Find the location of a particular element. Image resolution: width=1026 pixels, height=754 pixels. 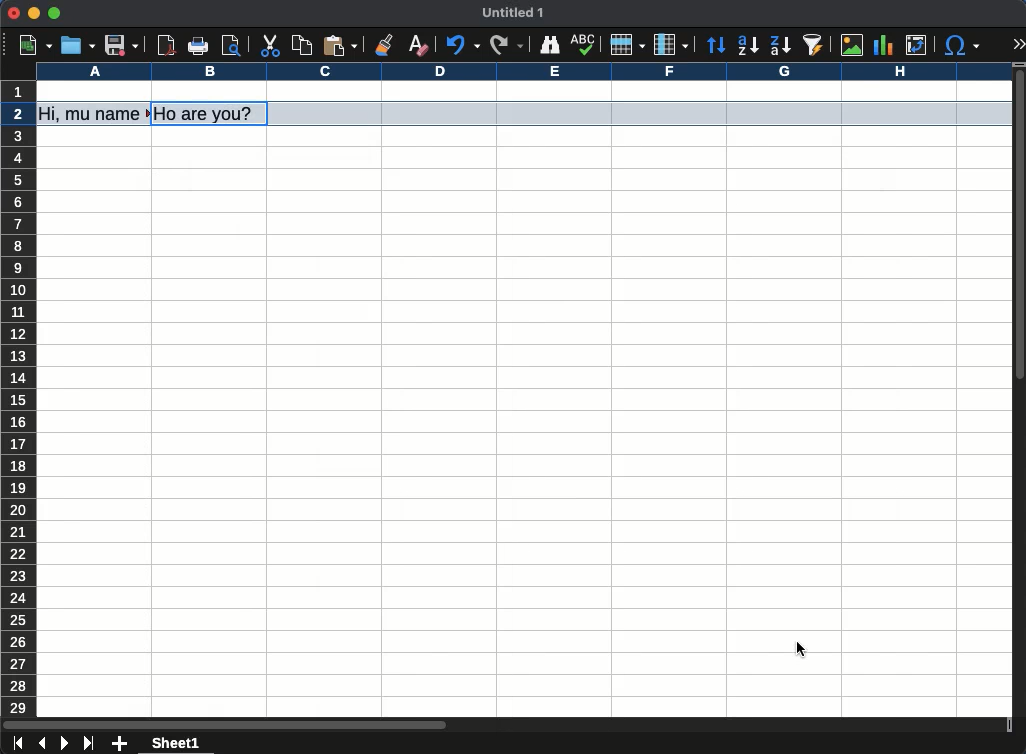

add is located at coordinates (121, 743).